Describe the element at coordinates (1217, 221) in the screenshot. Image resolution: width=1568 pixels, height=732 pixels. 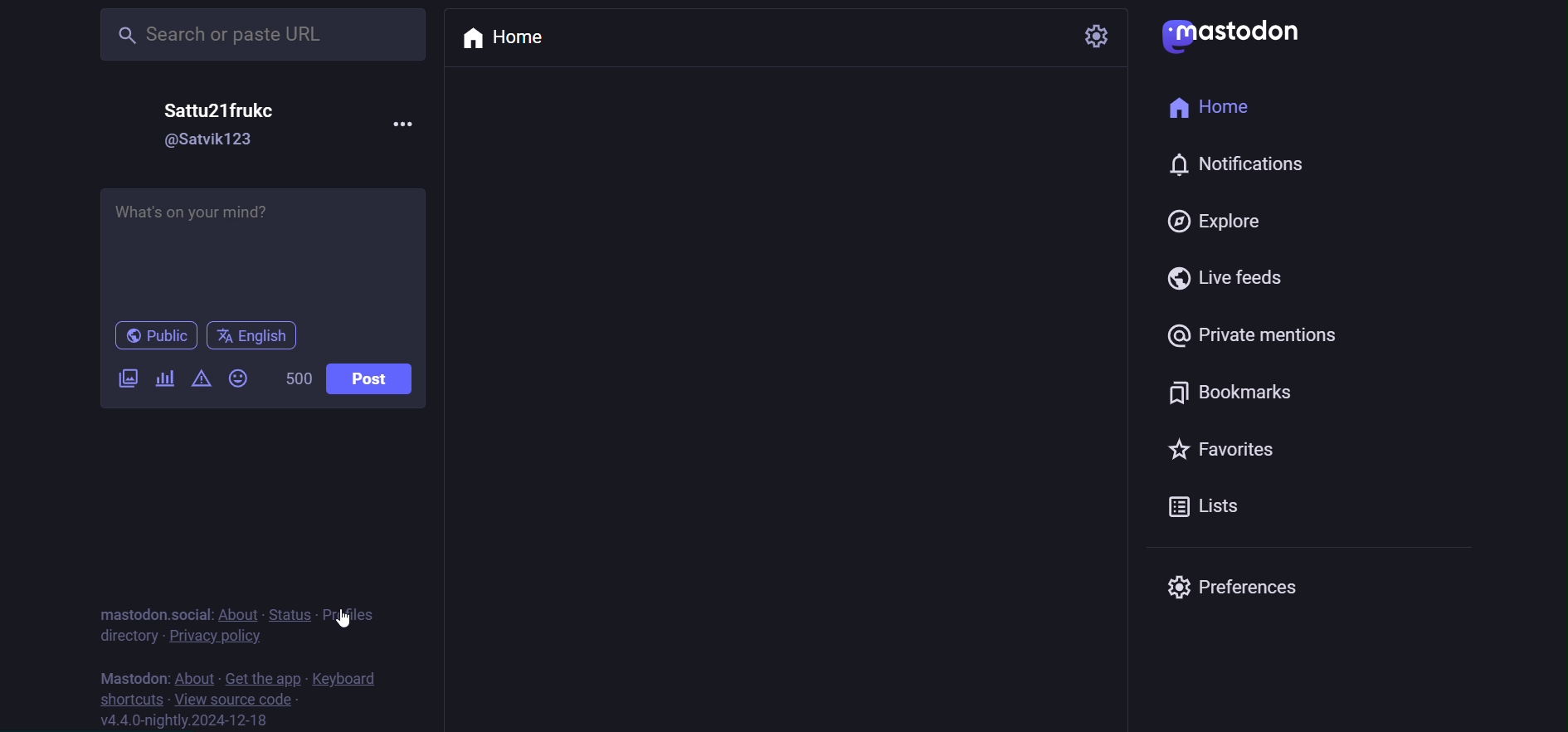
I see `explore` at that location.